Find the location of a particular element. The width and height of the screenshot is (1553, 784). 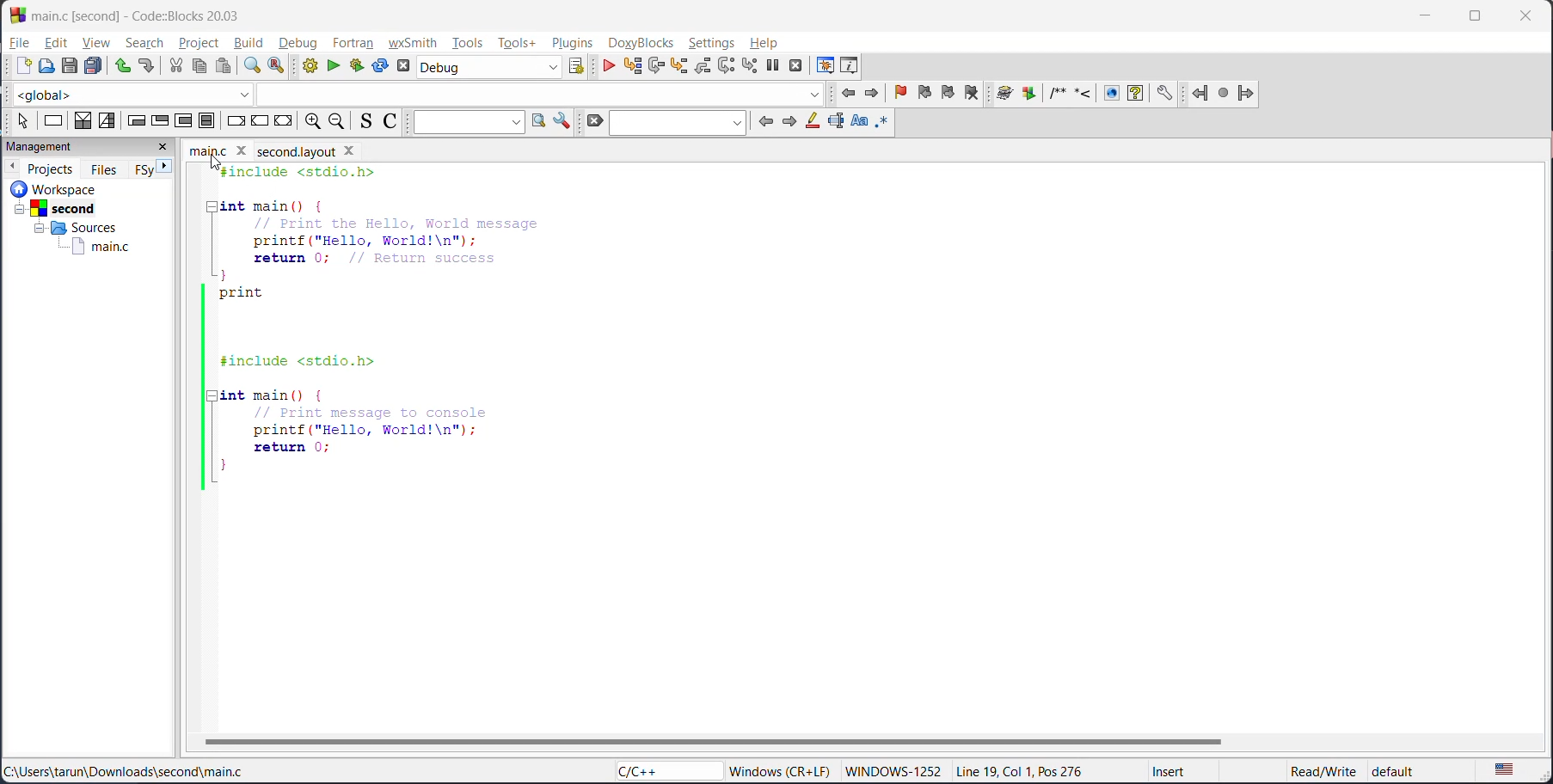

toggle comments is located at coordinates (390, 121).